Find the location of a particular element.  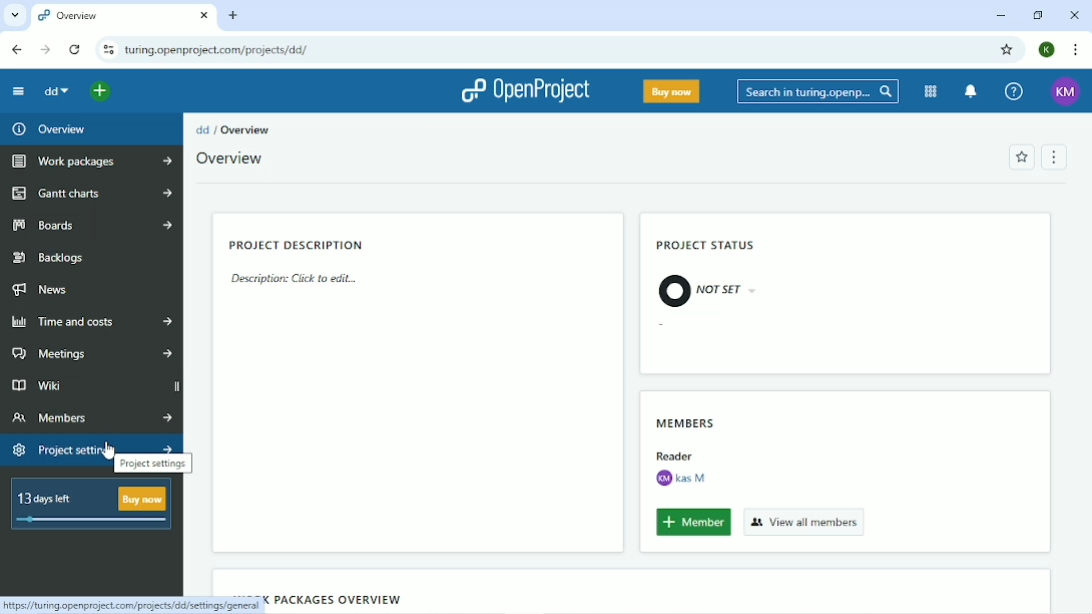

Meetings is located at coordinates (90, 355).